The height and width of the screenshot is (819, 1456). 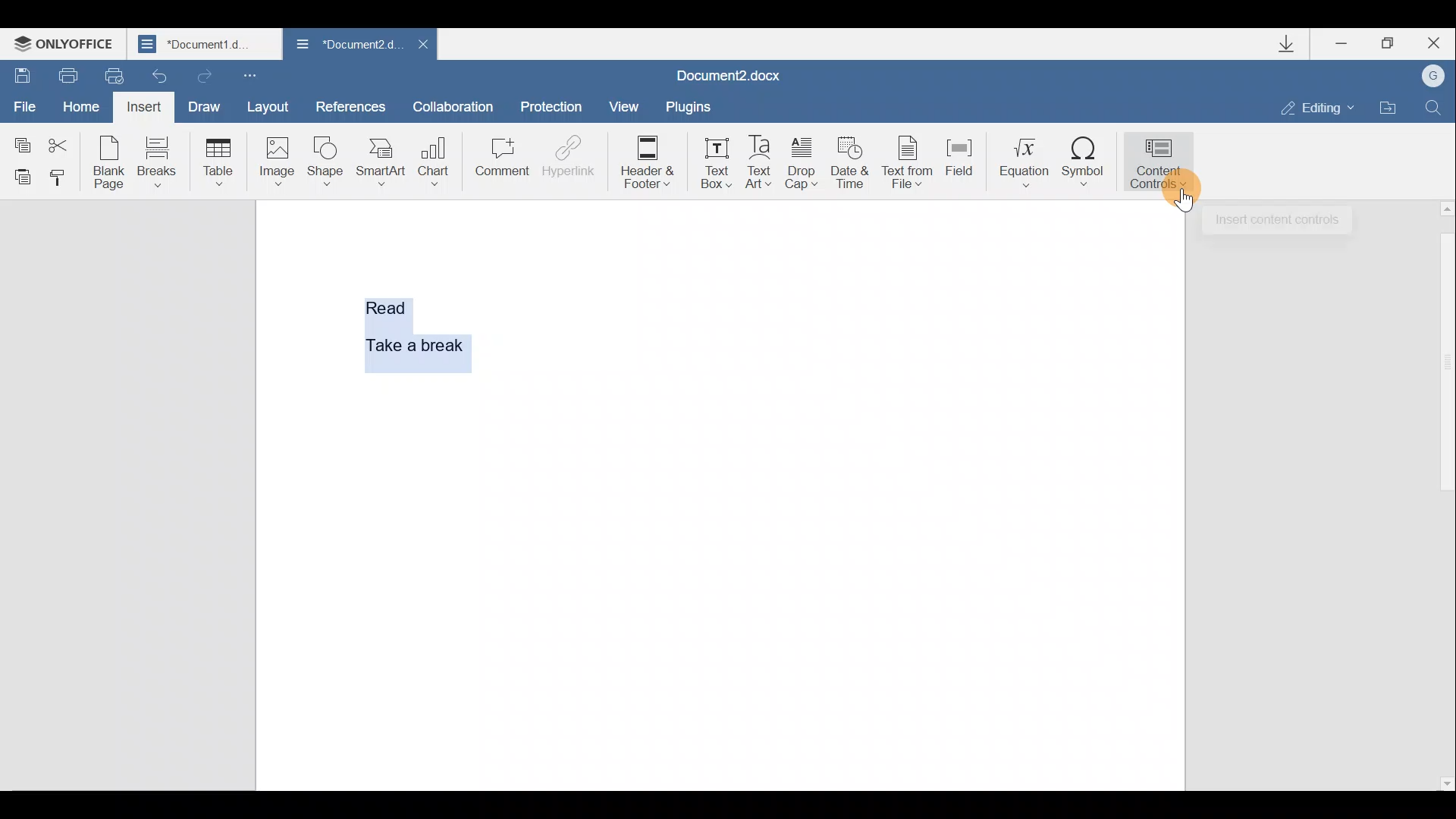 What do you see at coordinates (1182, 199) in the screenshot?
I see `Cursor on content controls` at bounding box center [1182, 199].